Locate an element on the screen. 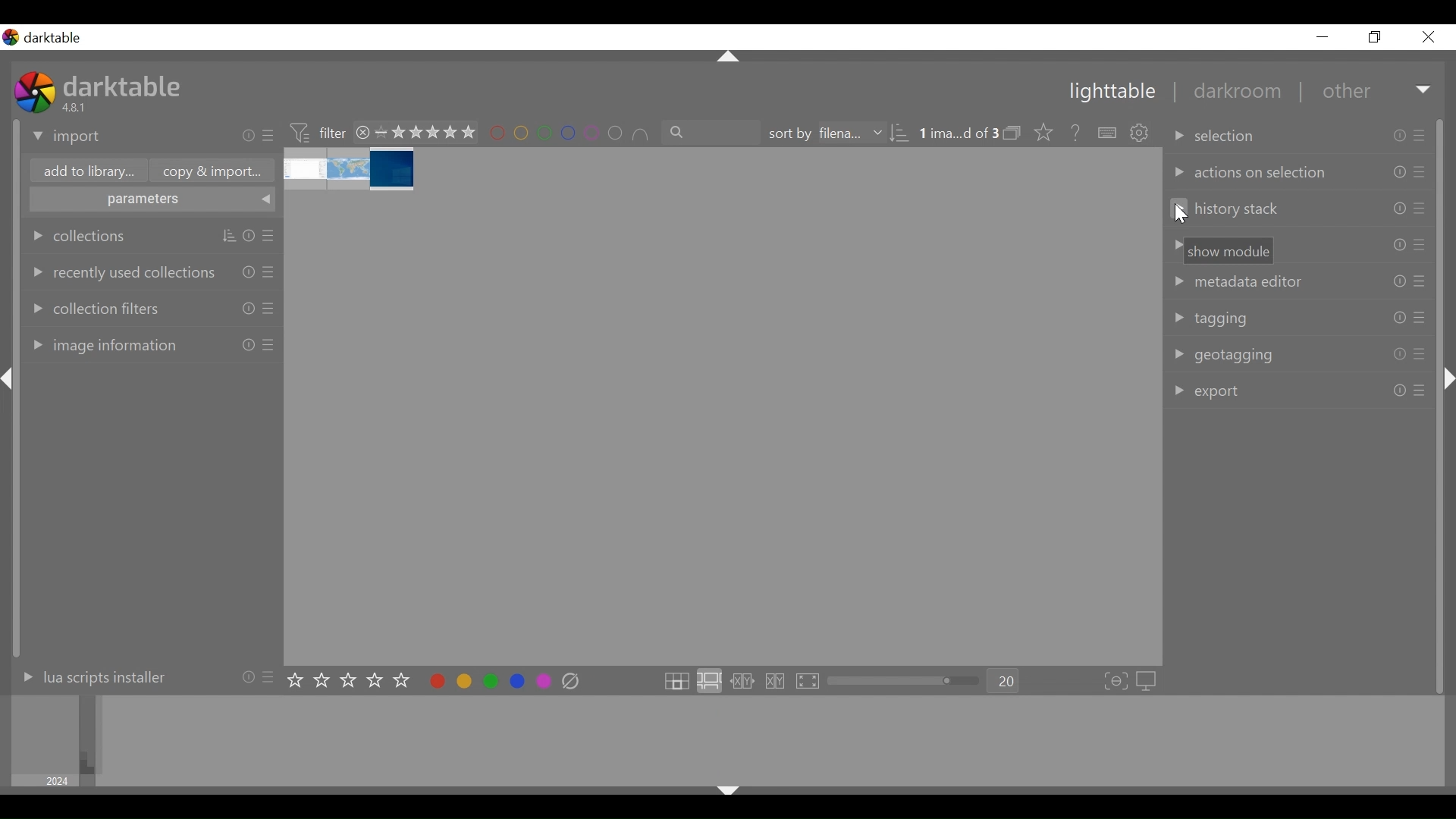 This screenshot has height=819, width=1456. expand/collapse grouped images is located at coordinates (1012, 133).